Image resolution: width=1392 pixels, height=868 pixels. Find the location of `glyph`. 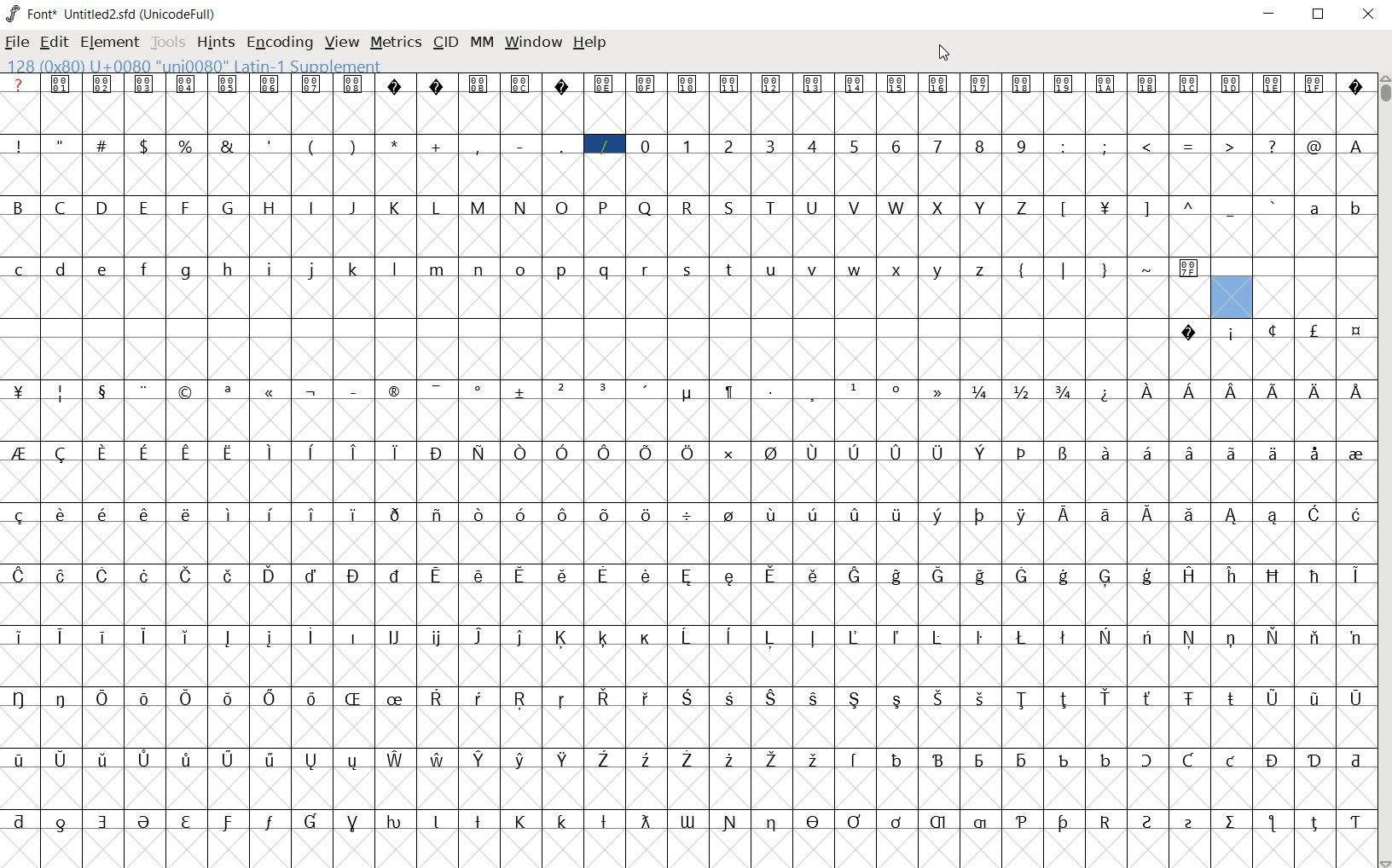

glyph is located at coordinates (1064, 823).